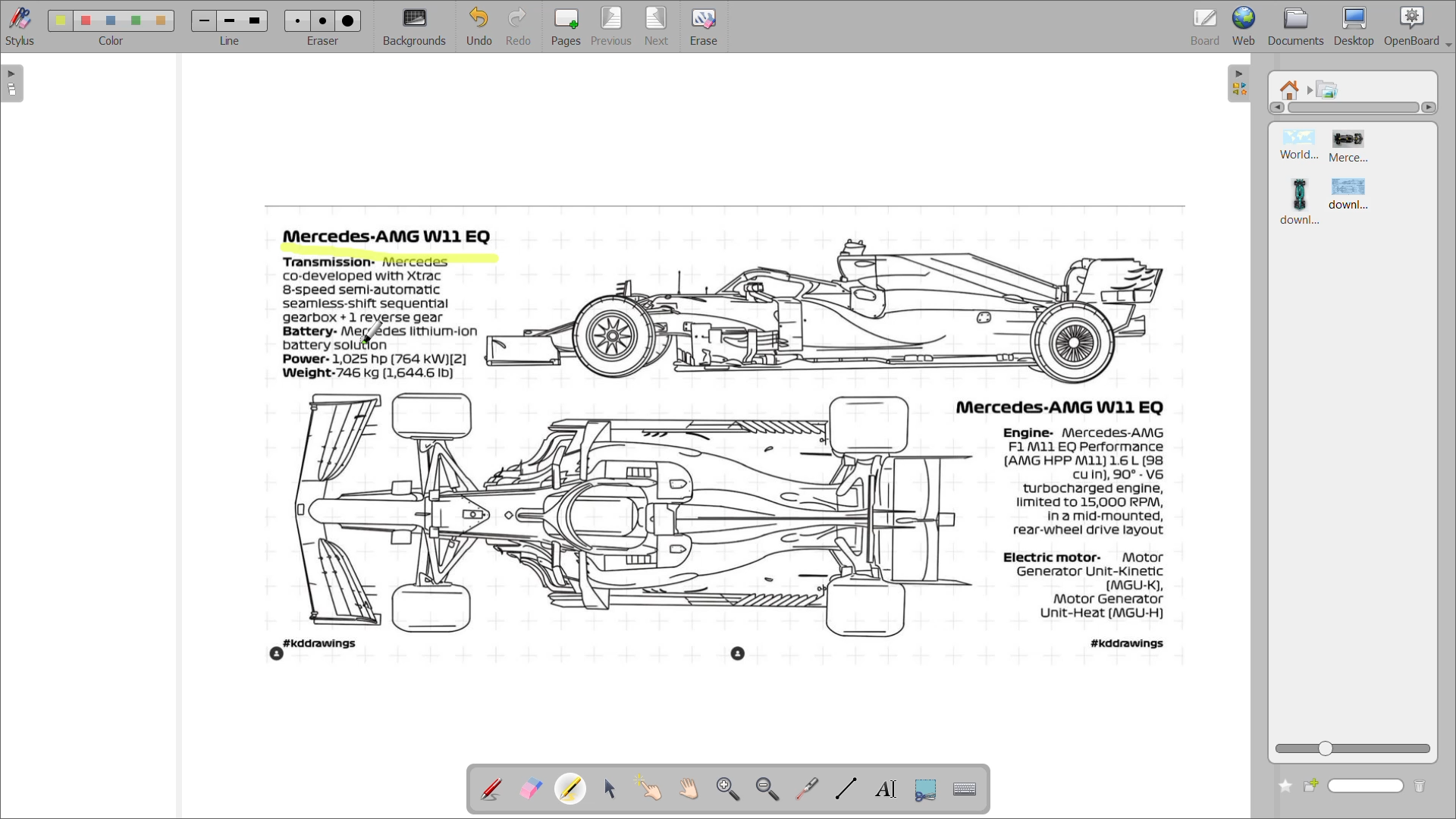  What do you see at coordinates (1247, 26) in the screenshot?
I see `web` at bounding box center [1247, 26].